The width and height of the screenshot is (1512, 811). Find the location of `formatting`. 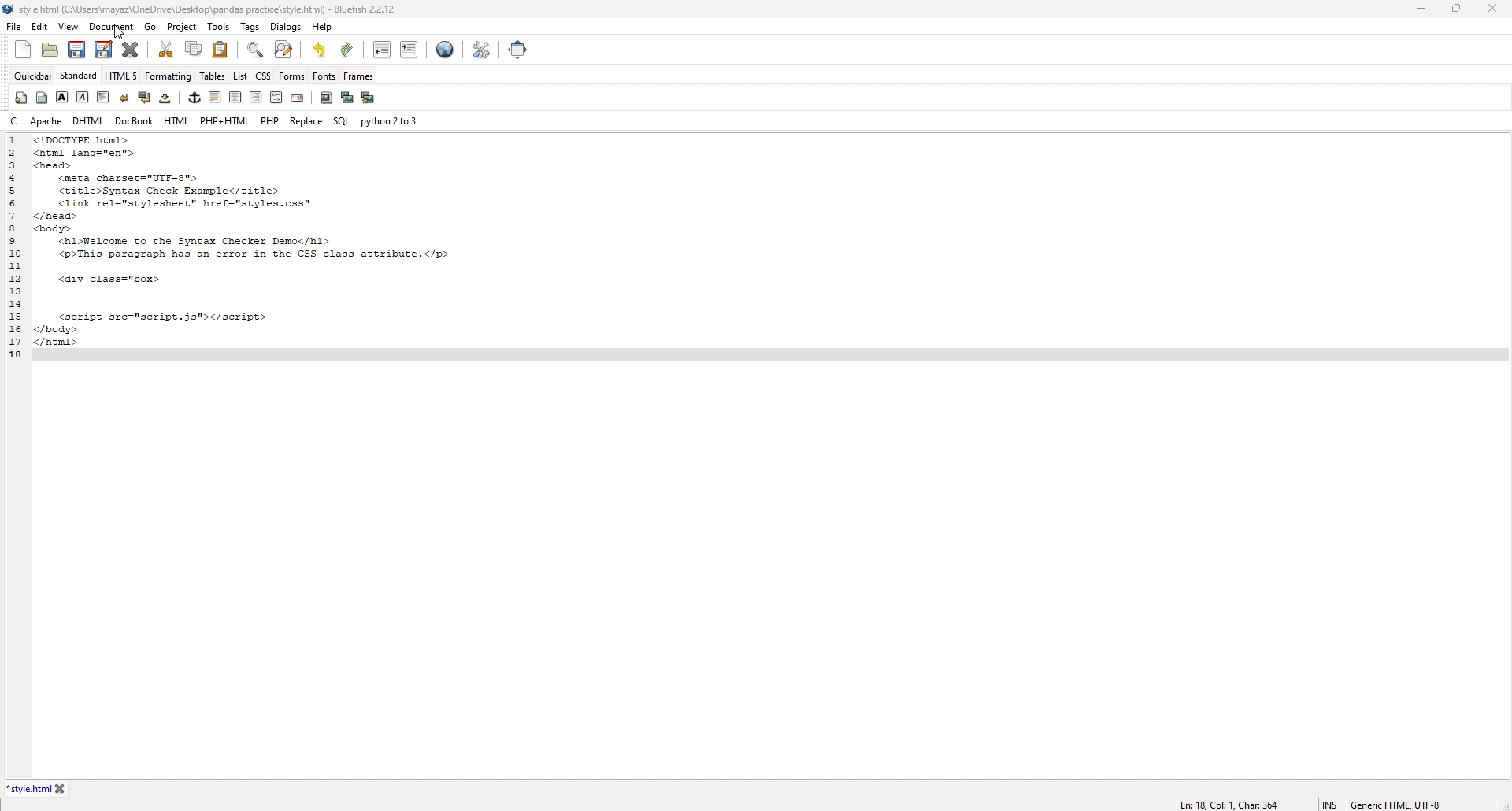

formatting is located at coordinates (169, 76).